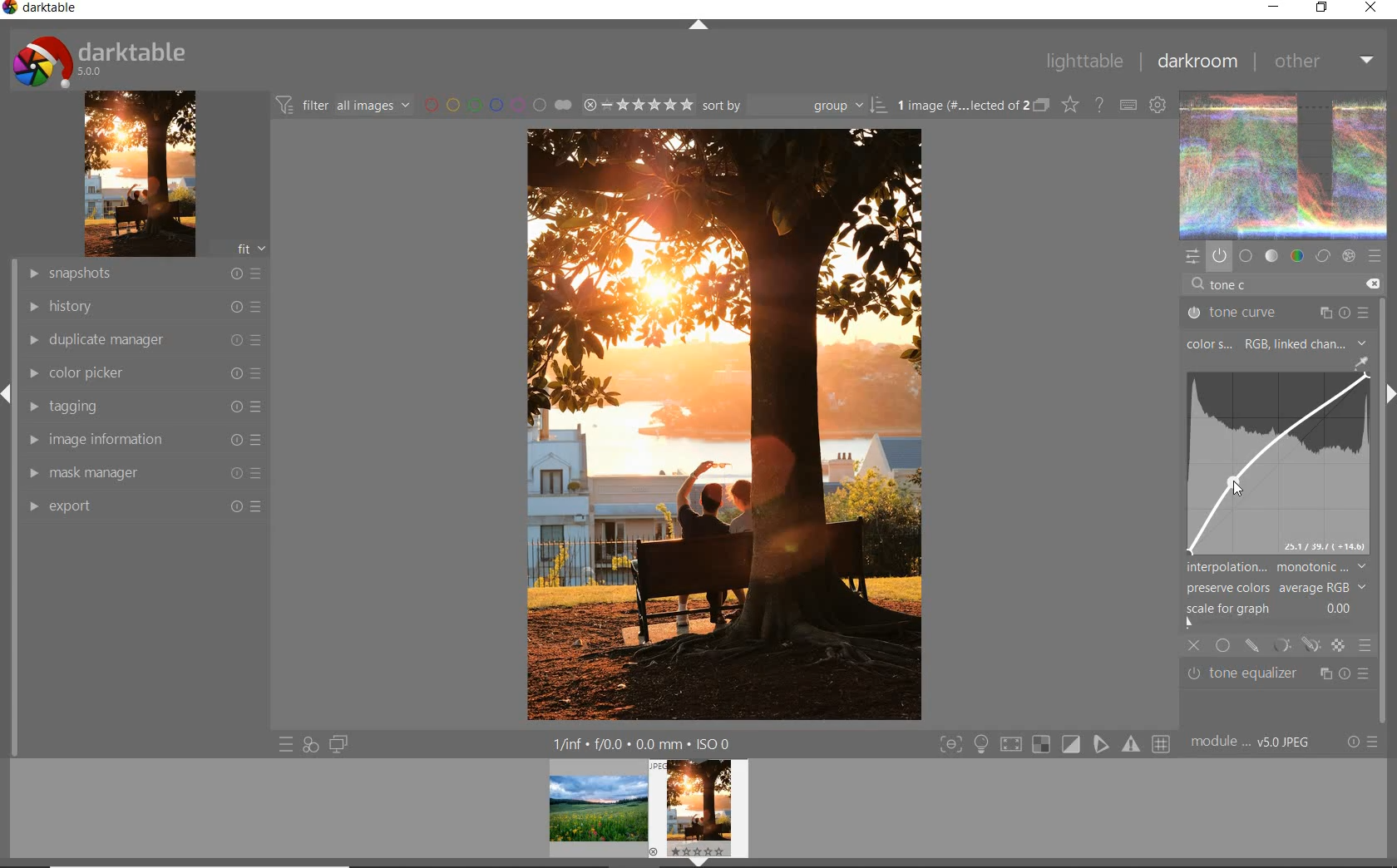 The height and width of the screenshot is (868, 1397). I want to click on minimize, so click(1271, 7).